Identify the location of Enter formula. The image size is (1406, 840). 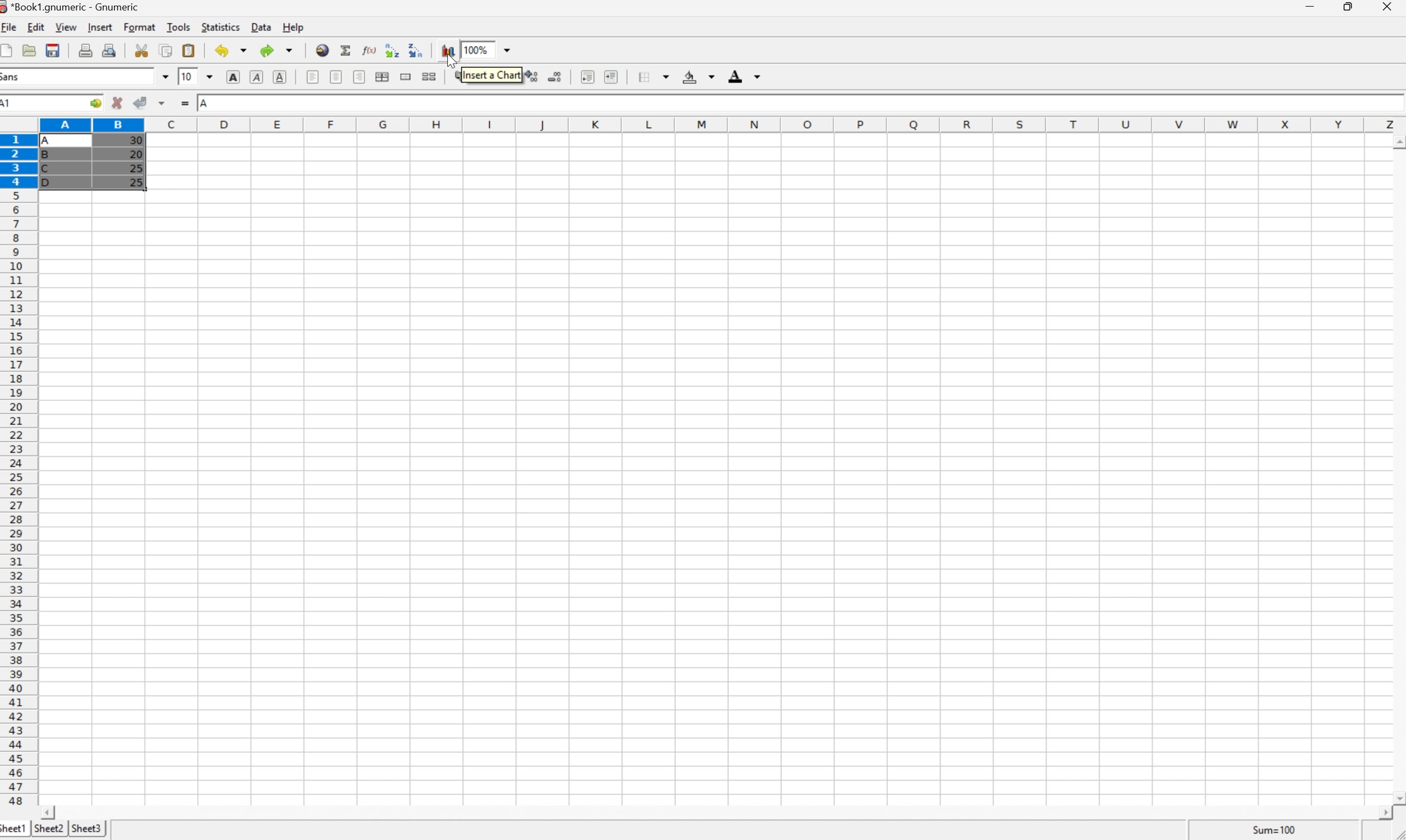
(185, 102).